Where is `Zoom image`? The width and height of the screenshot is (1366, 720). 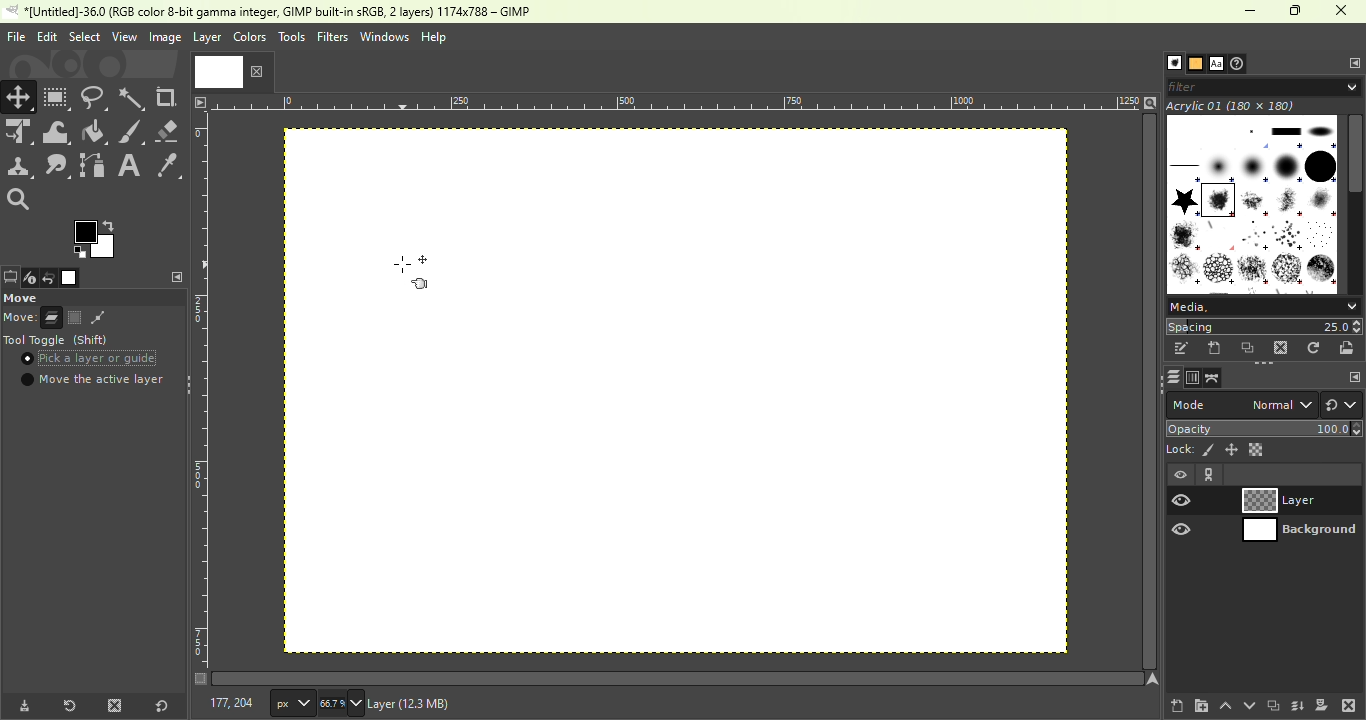
Zoom image is located at coordinates (1150, 101).